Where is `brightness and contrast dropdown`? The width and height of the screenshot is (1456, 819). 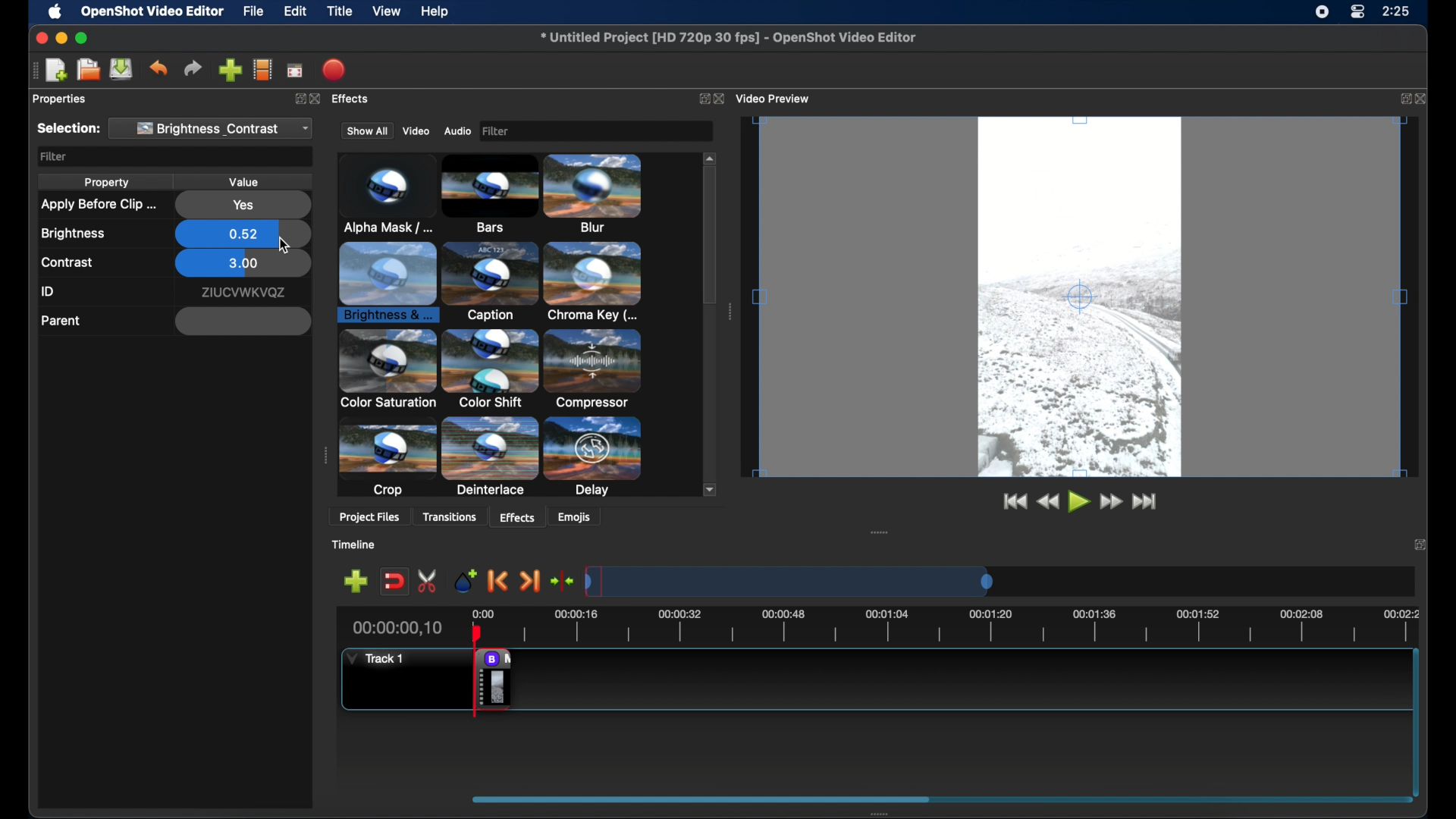
brightness and contrast dropdown is located at coordinates (215, 128).